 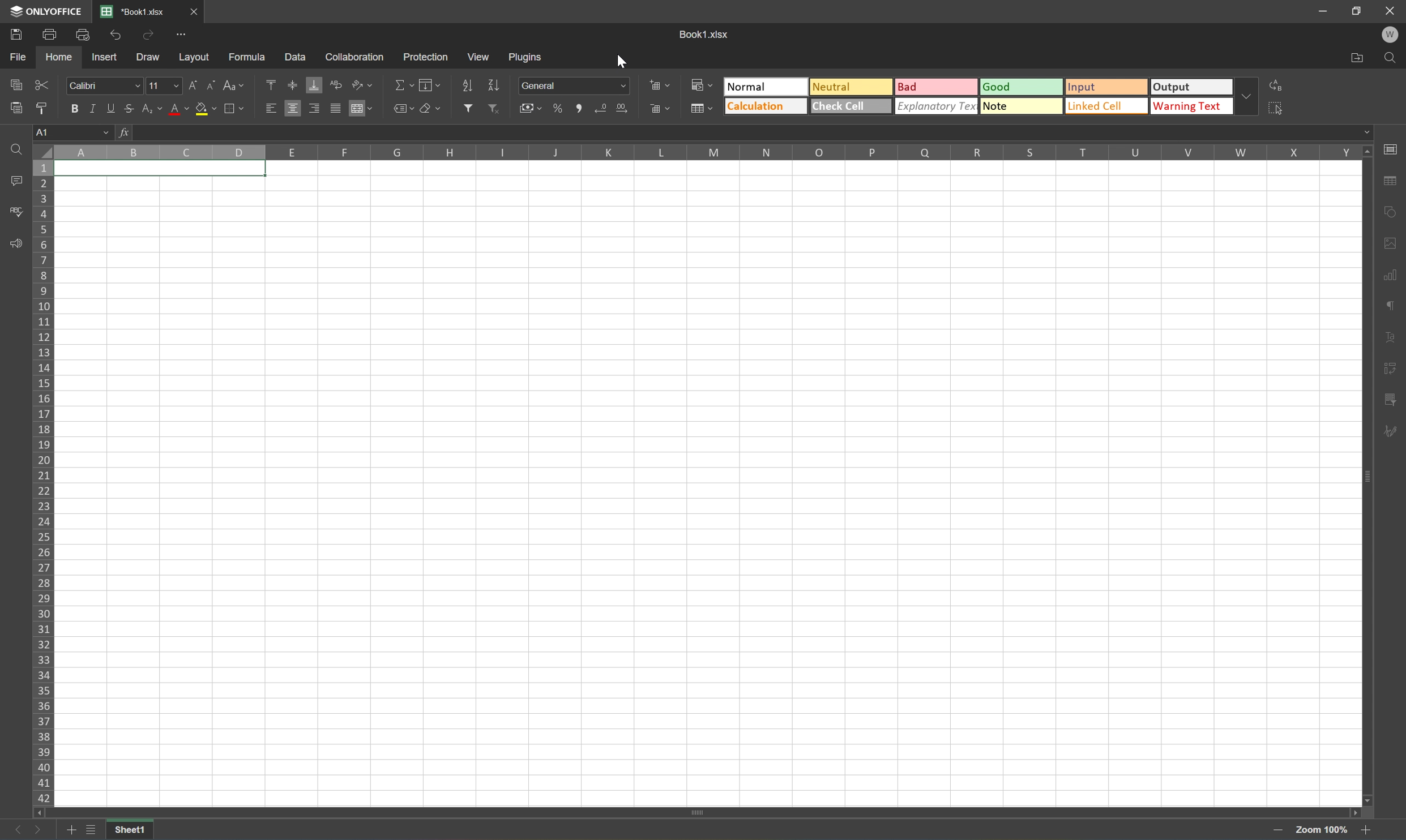 I want to click on Format as table template, so click(x=700, y=107).